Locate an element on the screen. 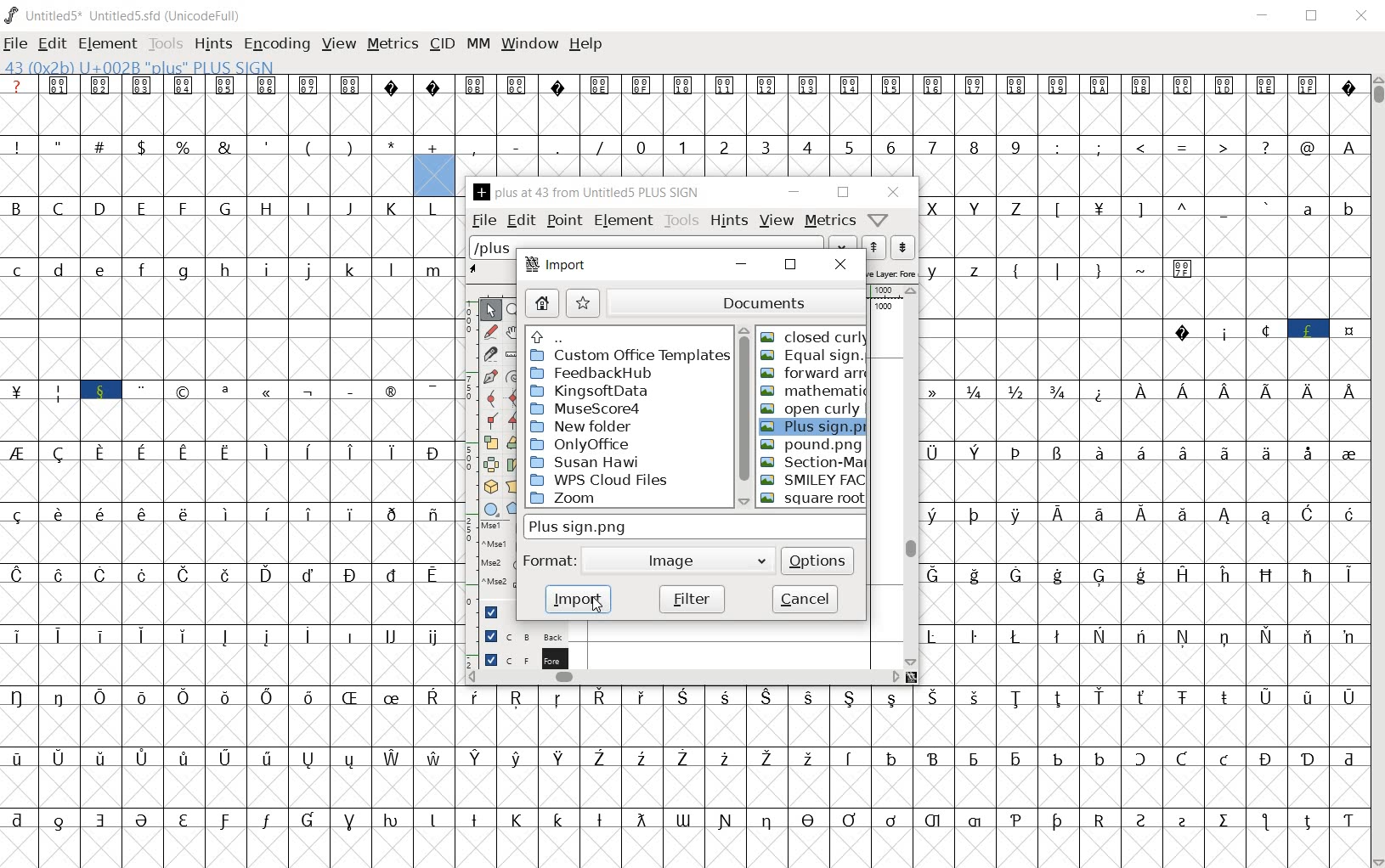   is located at coordinates (228, 473).